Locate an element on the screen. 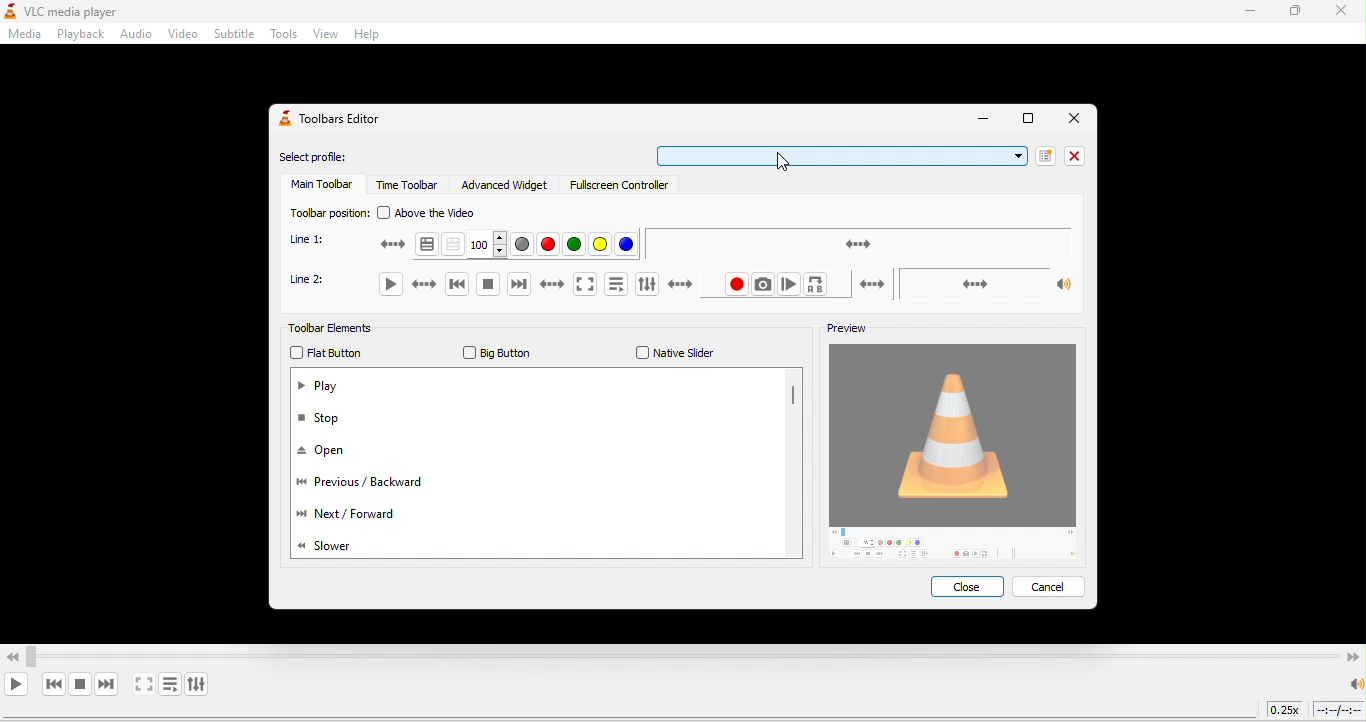 This screenshot has height=722, width=1366. select bar is located at coordinates (838, 154).